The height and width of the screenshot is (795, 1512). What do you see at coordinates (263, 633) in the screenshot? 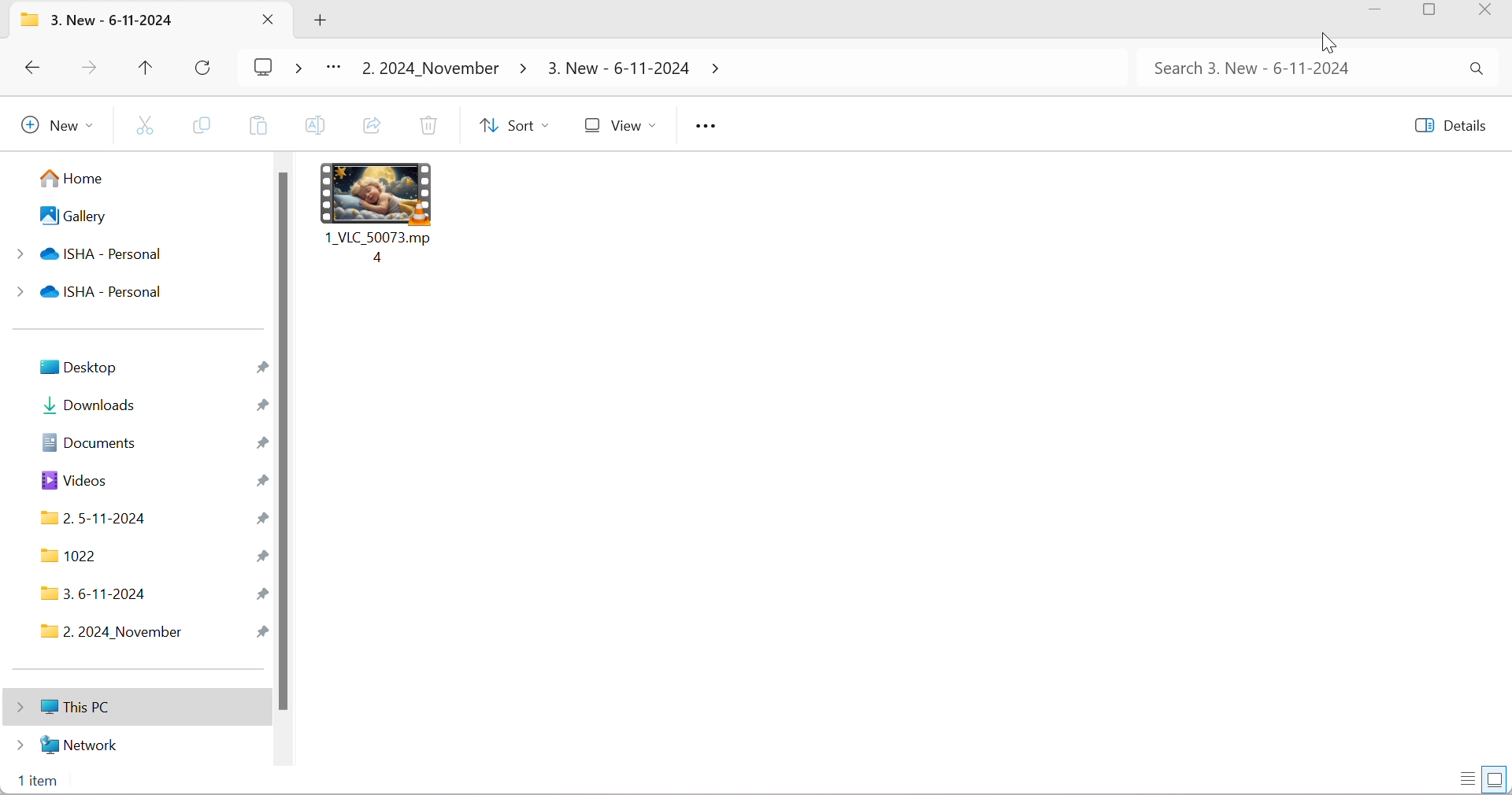
I see `Pin` at bounding box center [263, 633].